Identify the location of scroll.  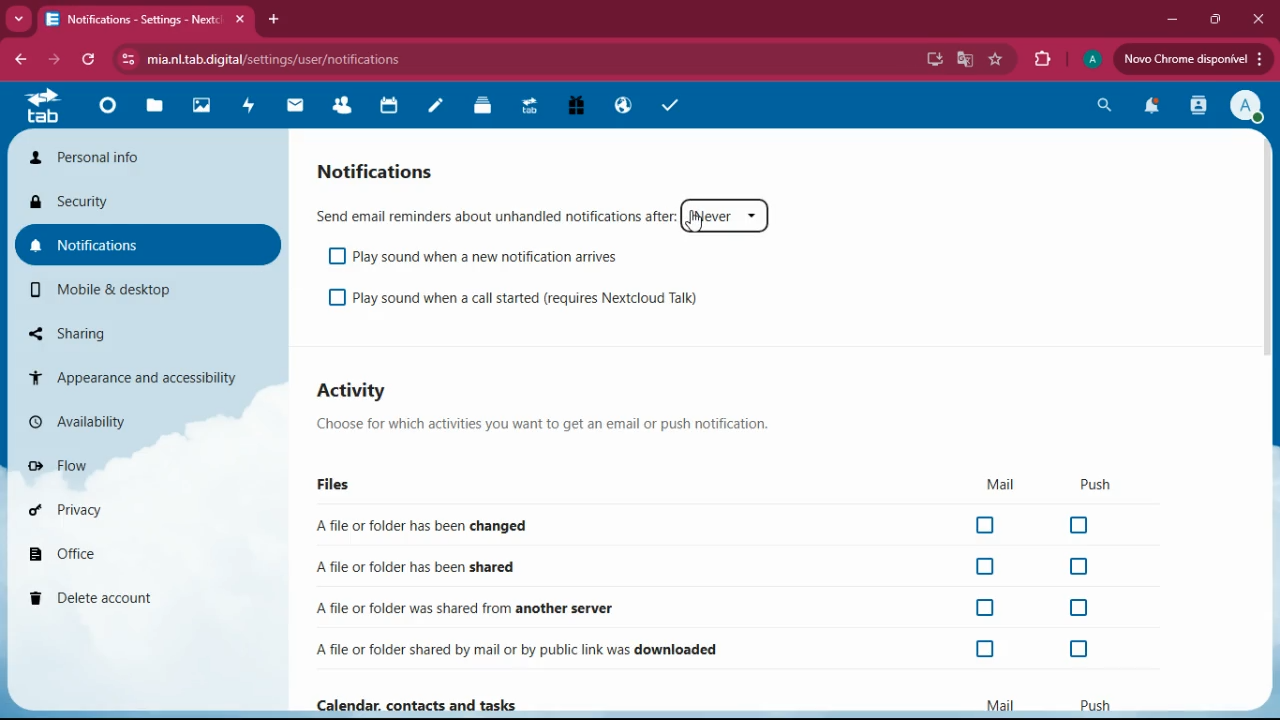
(1270, 289).